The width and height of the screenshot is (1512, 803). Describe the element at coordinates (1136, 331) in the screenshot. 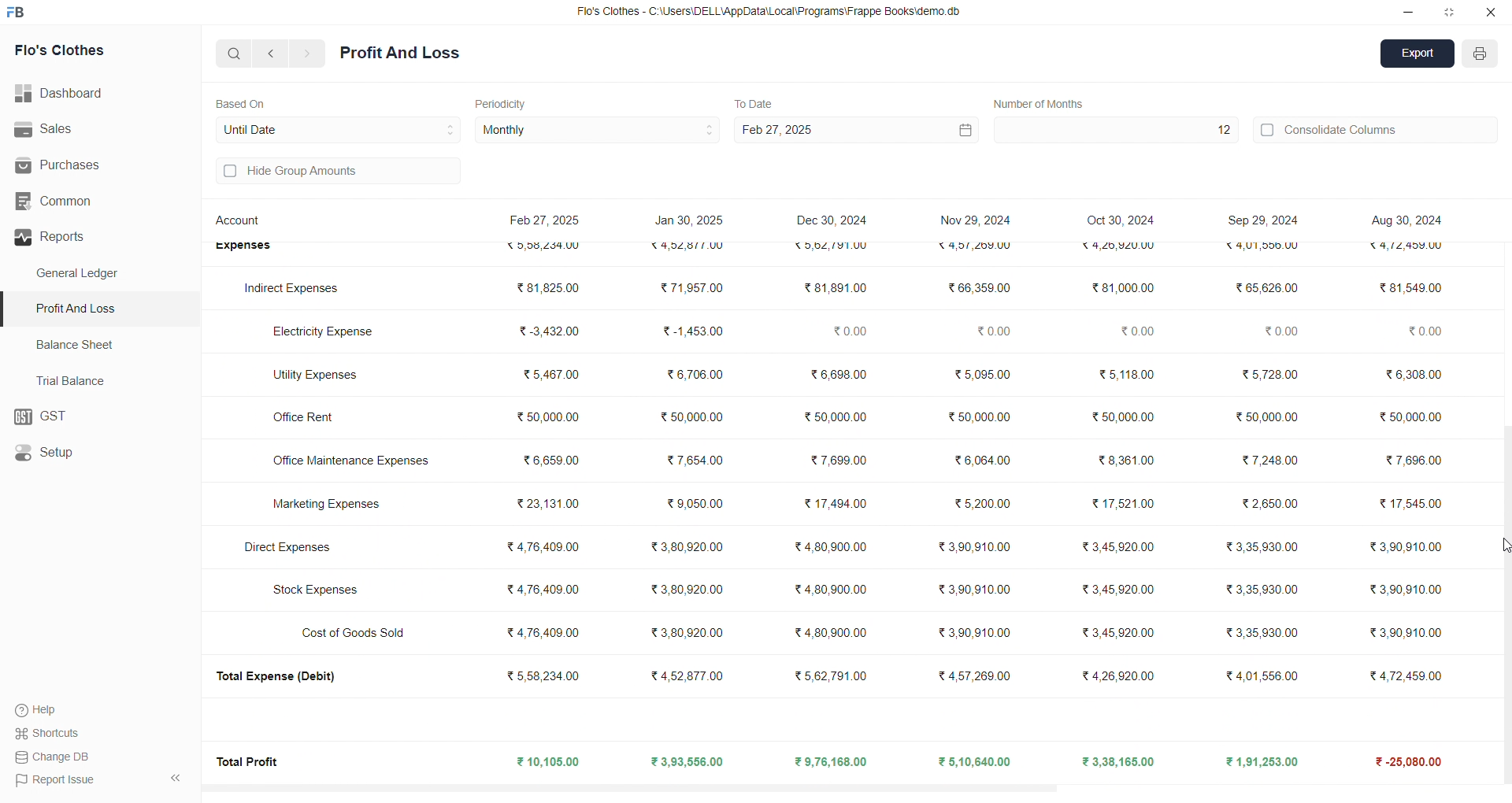

I see `₹0.00` at that location.